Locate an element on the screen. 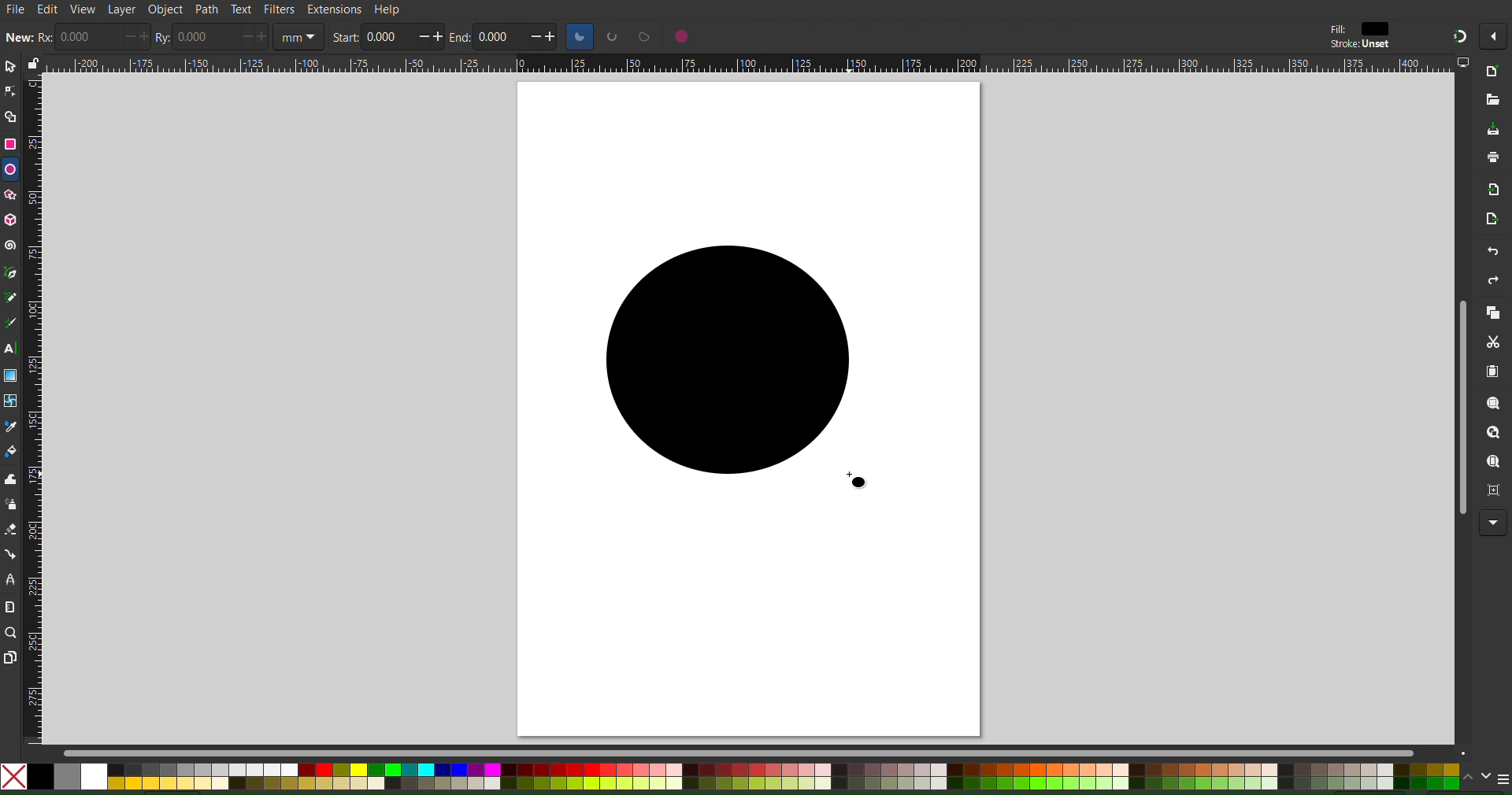  new is located at coordinates (20, 38).